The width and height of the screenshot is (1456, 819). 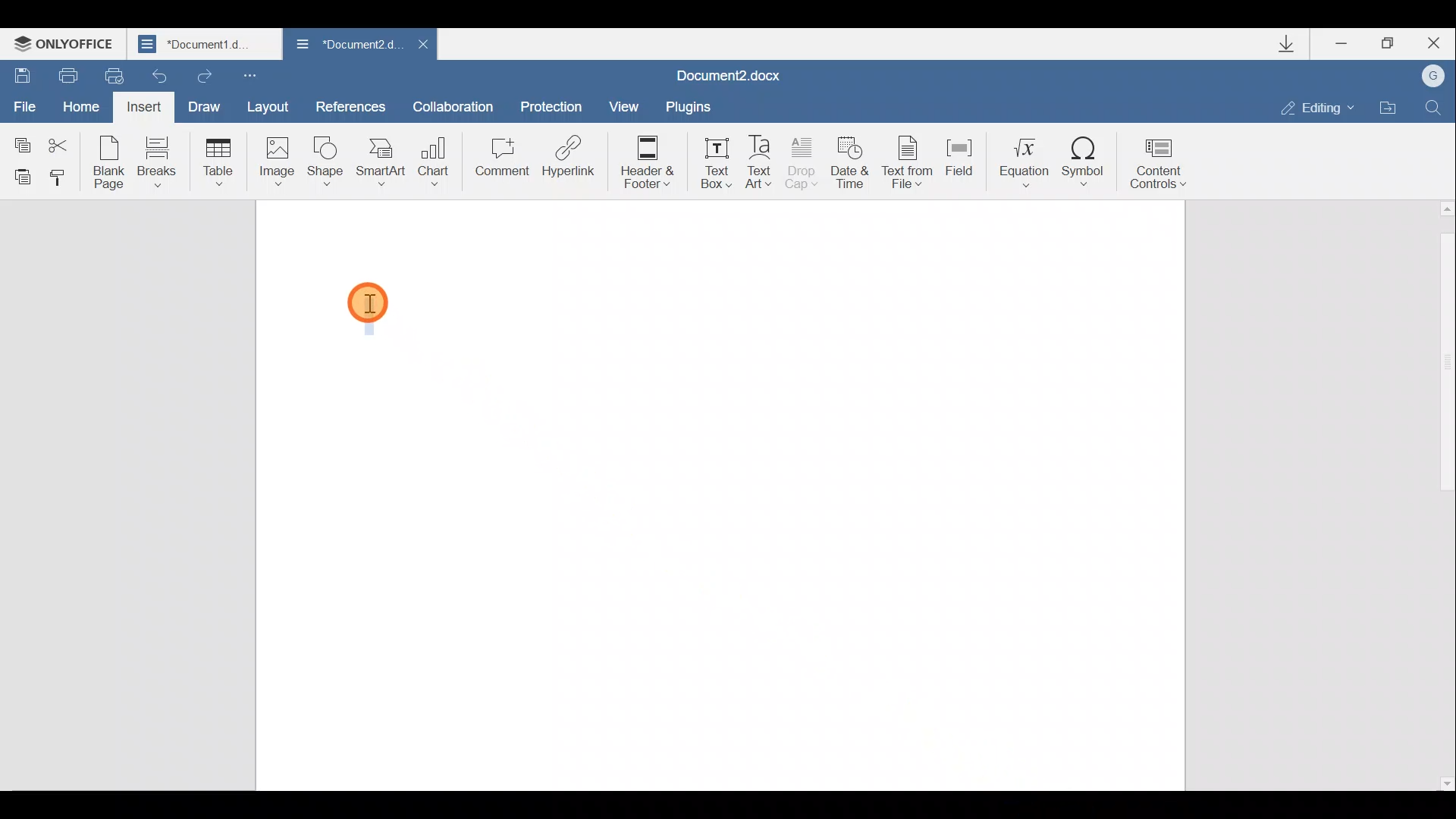 What do you see at coordinates (21, 71) in the screenshot?
I see `Save` at bounding box center [21, 71].